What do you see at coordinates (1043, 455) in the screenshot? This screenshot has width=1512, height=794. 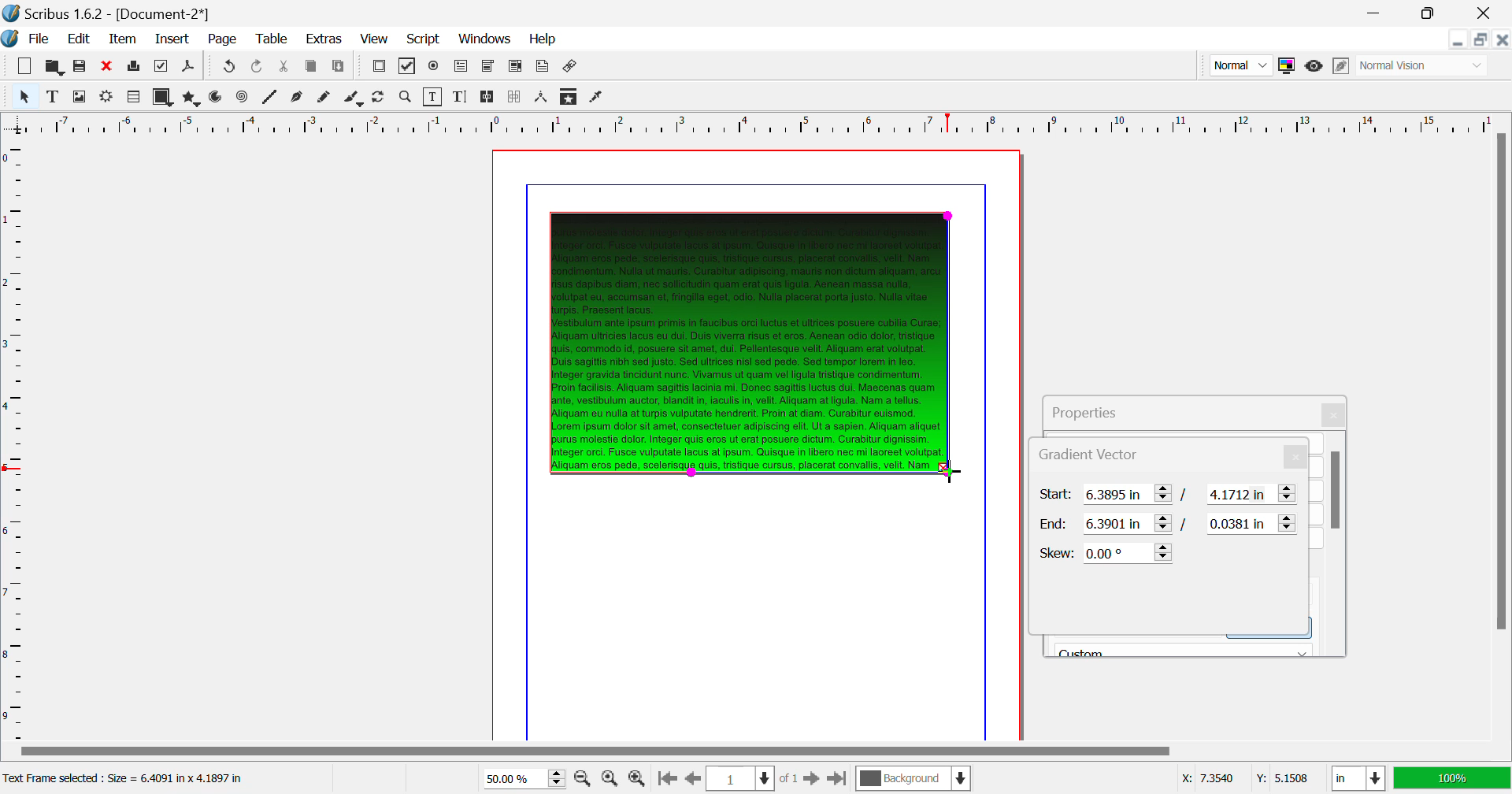 I see `Gradient Vector Tab Heading` at bounding box center [1043, 455].